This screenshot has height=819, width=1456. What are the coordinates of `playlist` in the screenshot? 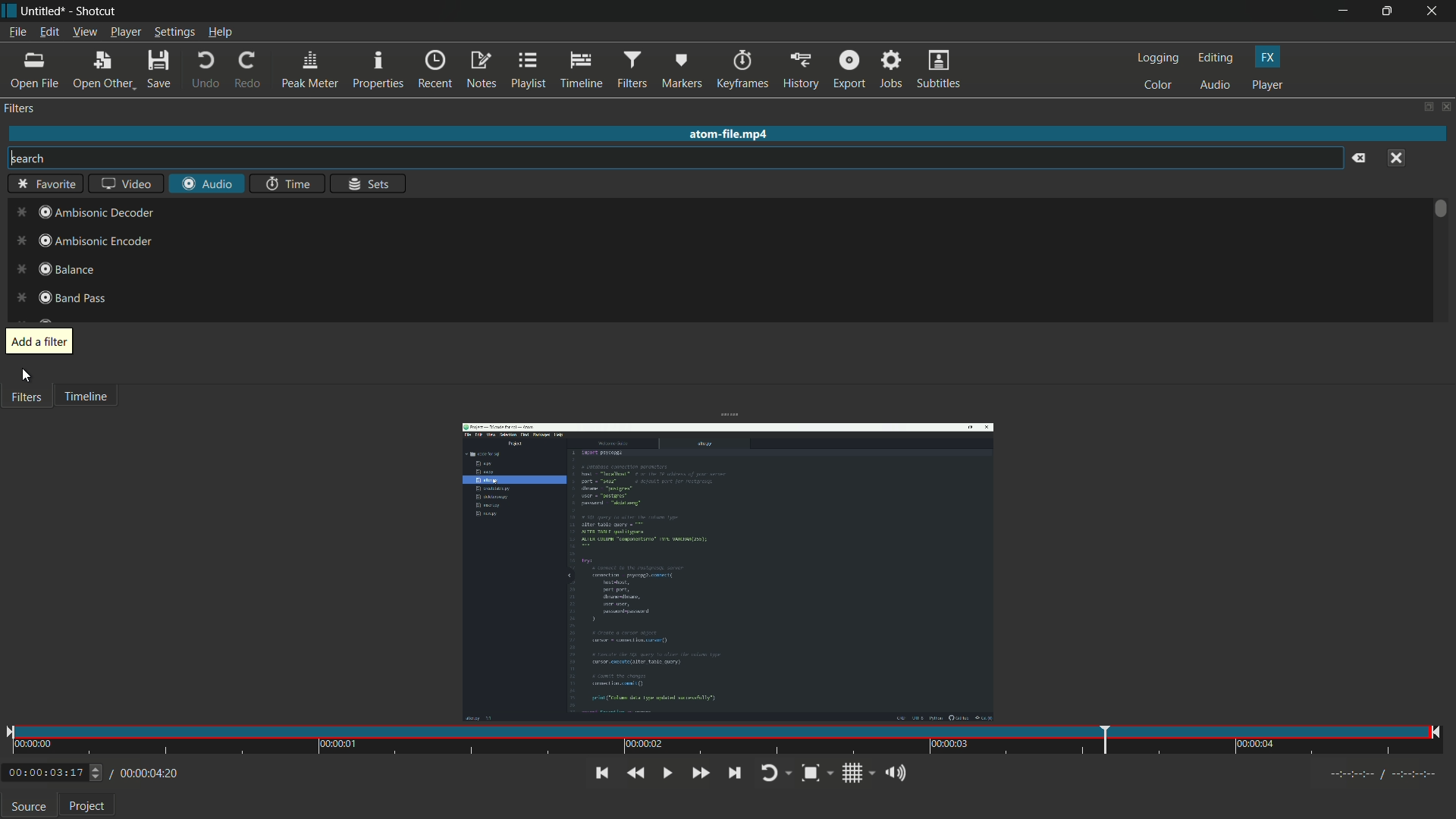 It's located at (527, 71).